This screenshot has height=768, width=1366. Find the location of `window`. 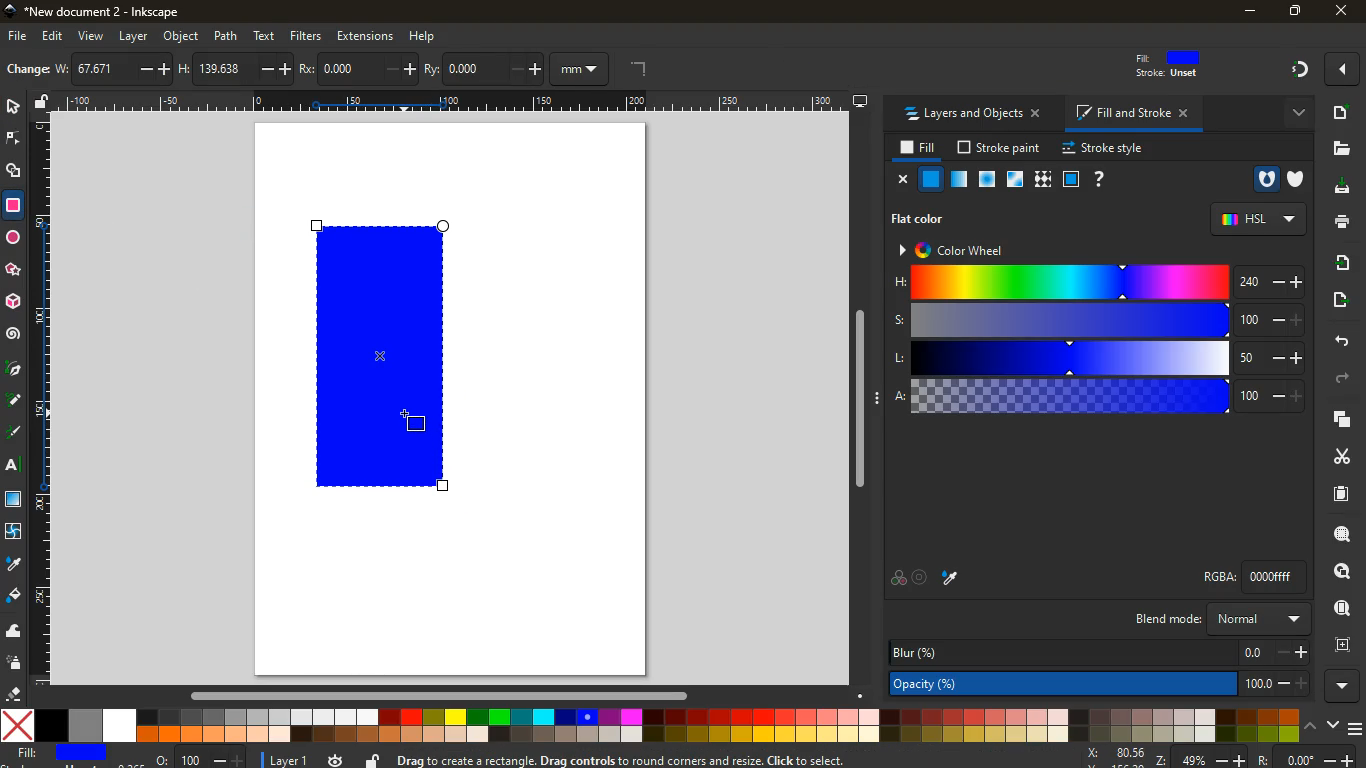

window is located at coordinates (1014, 179).